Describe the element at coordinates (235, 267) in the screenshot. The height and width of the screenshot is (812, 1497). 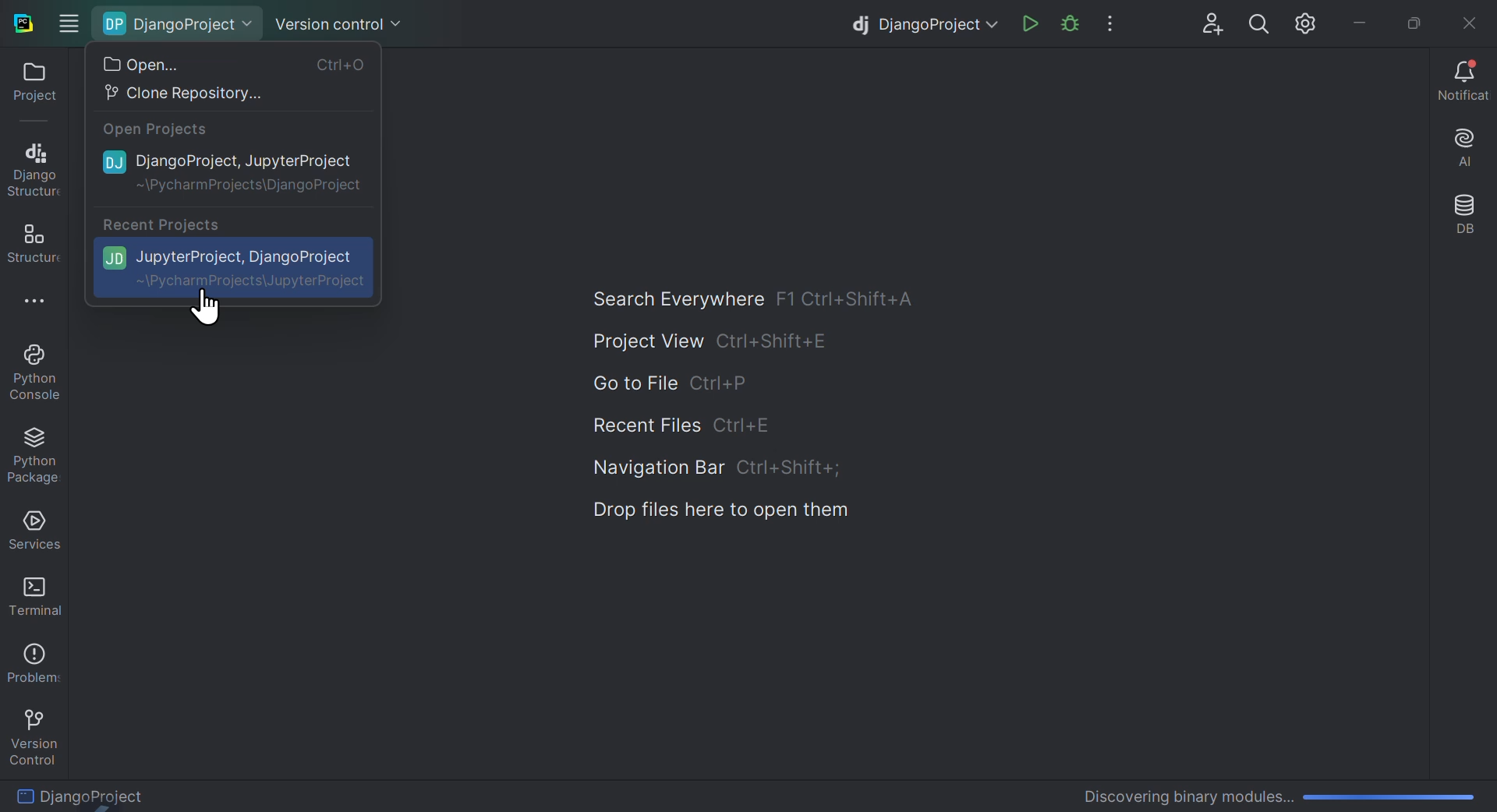
I see `Jupiter project Django Project` at that location.